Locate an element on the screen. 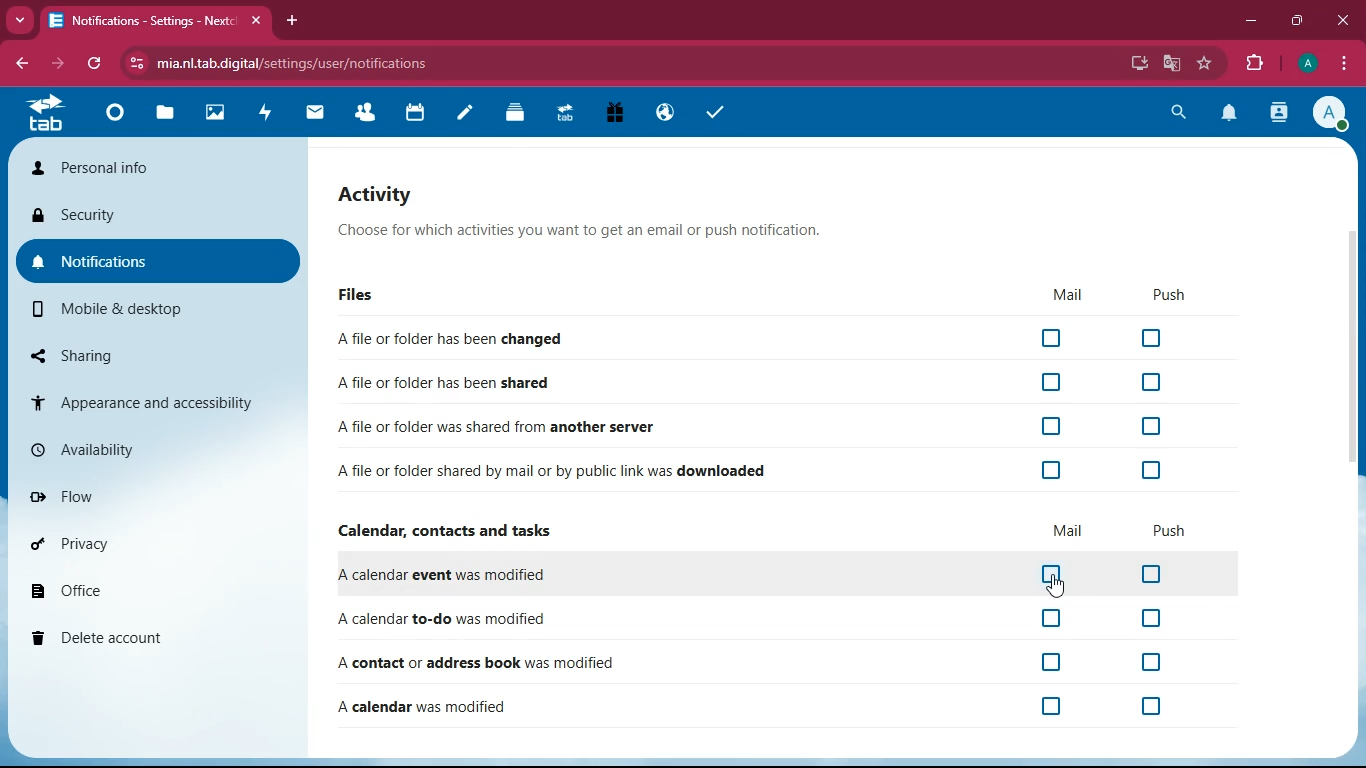 The image size is (1366, 768). Contacts is located at coordinates (366, 114).